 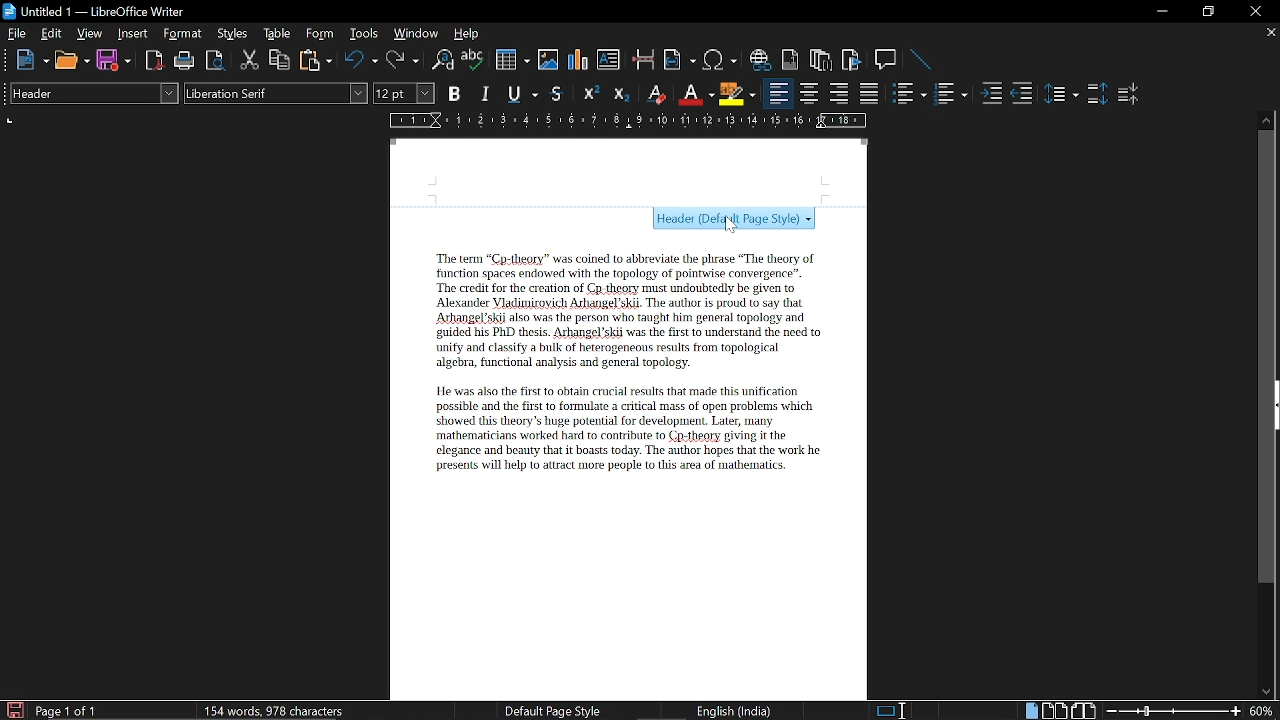 I want to click on export as PDF, so click(x=155, y=62).